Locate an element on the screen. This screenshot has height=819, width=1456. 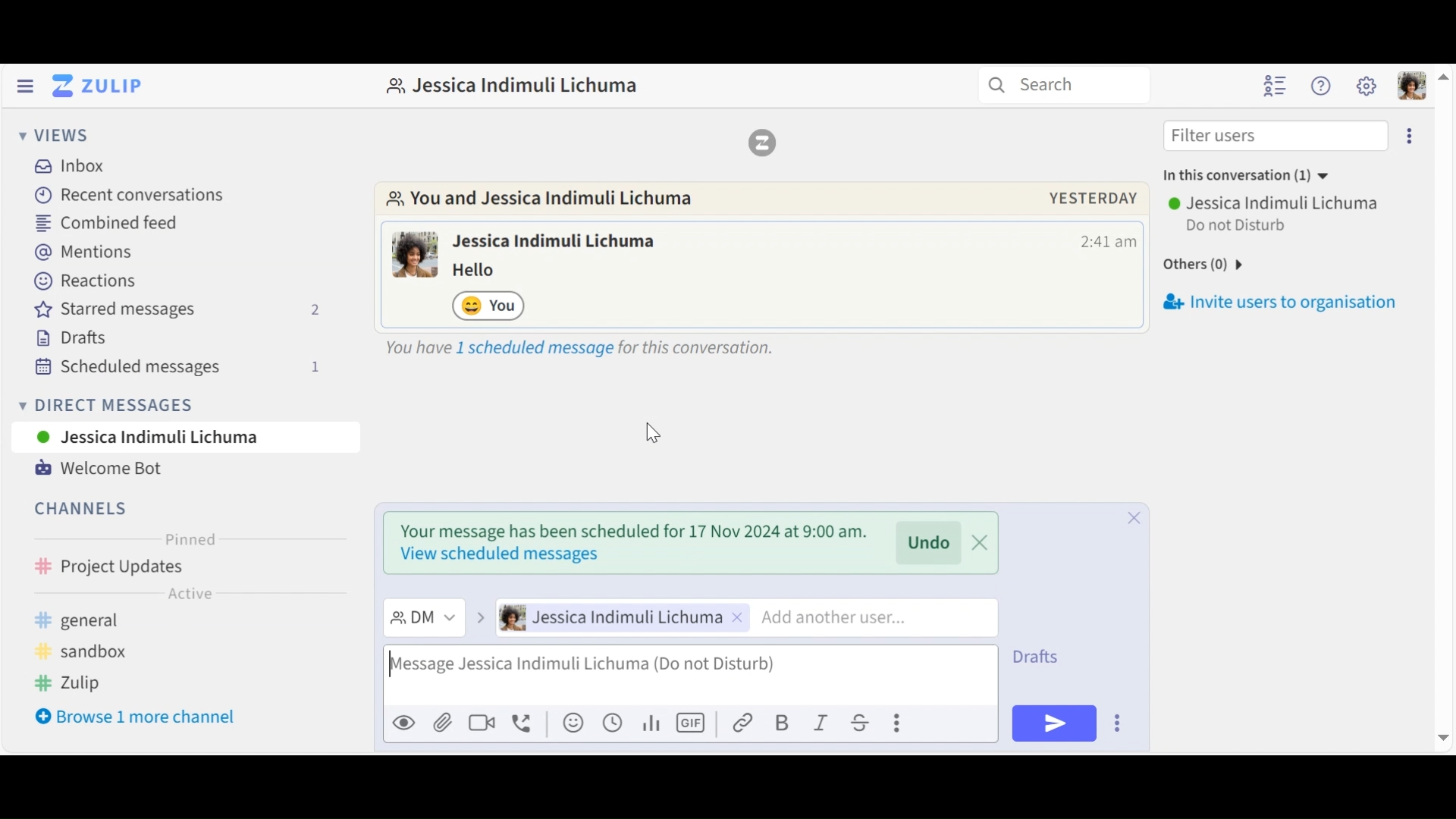
User is located at coordinates (618, 619).